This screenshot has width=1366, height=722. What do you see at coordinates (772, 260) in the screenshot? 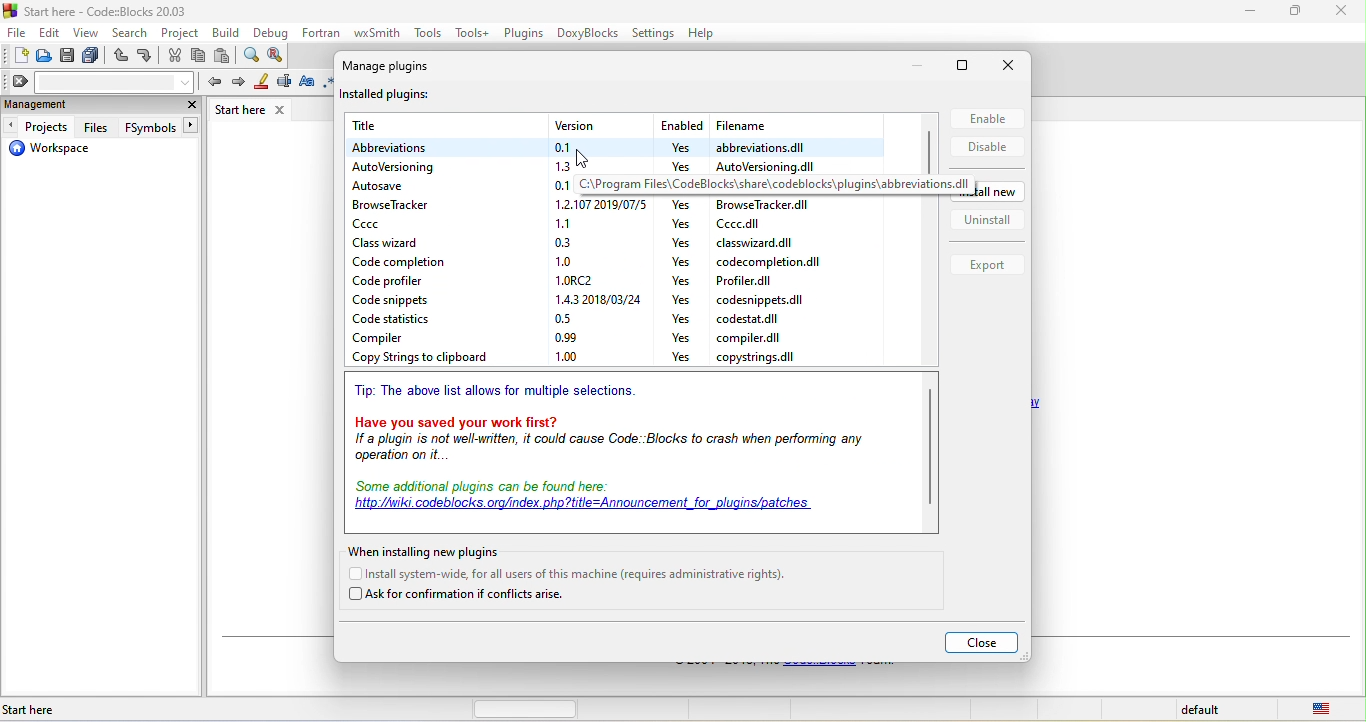
I see `file` at bounding box center [772, 260].